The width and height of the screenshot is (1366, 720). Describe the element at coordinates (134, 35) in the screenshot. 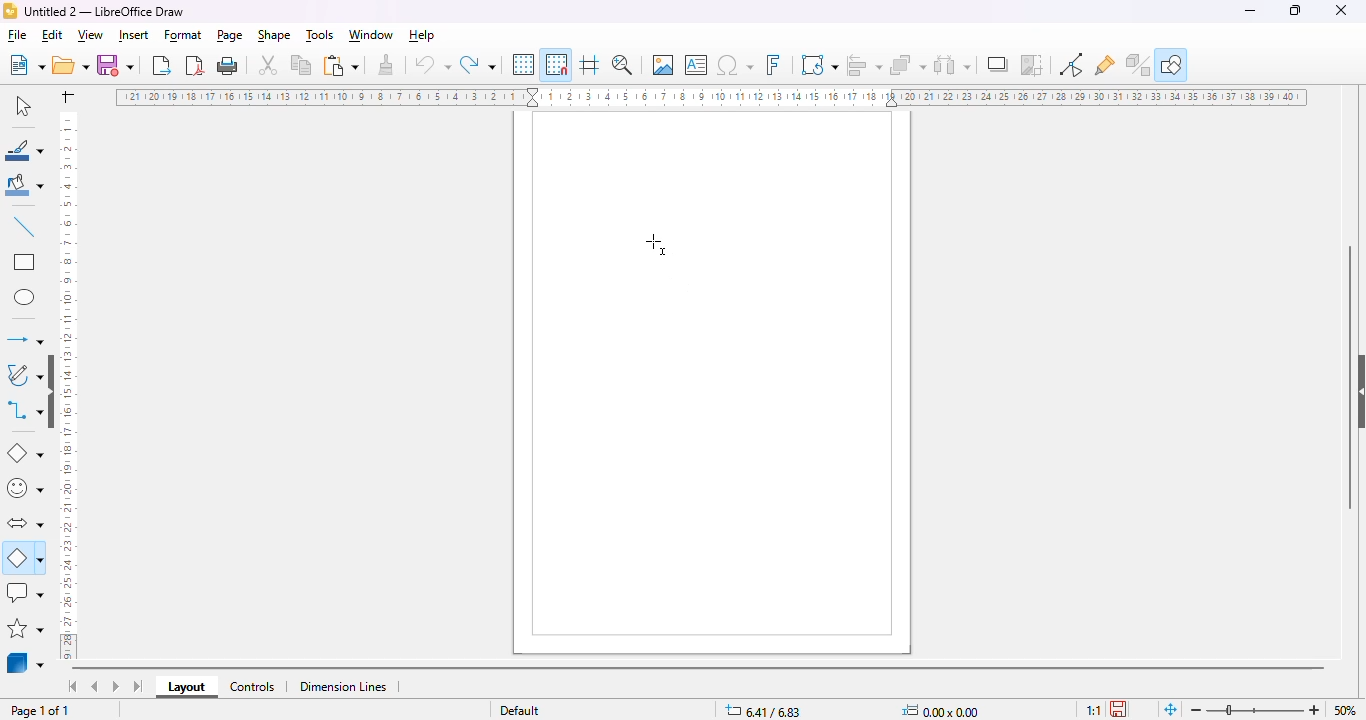

I see `insert` at that location.